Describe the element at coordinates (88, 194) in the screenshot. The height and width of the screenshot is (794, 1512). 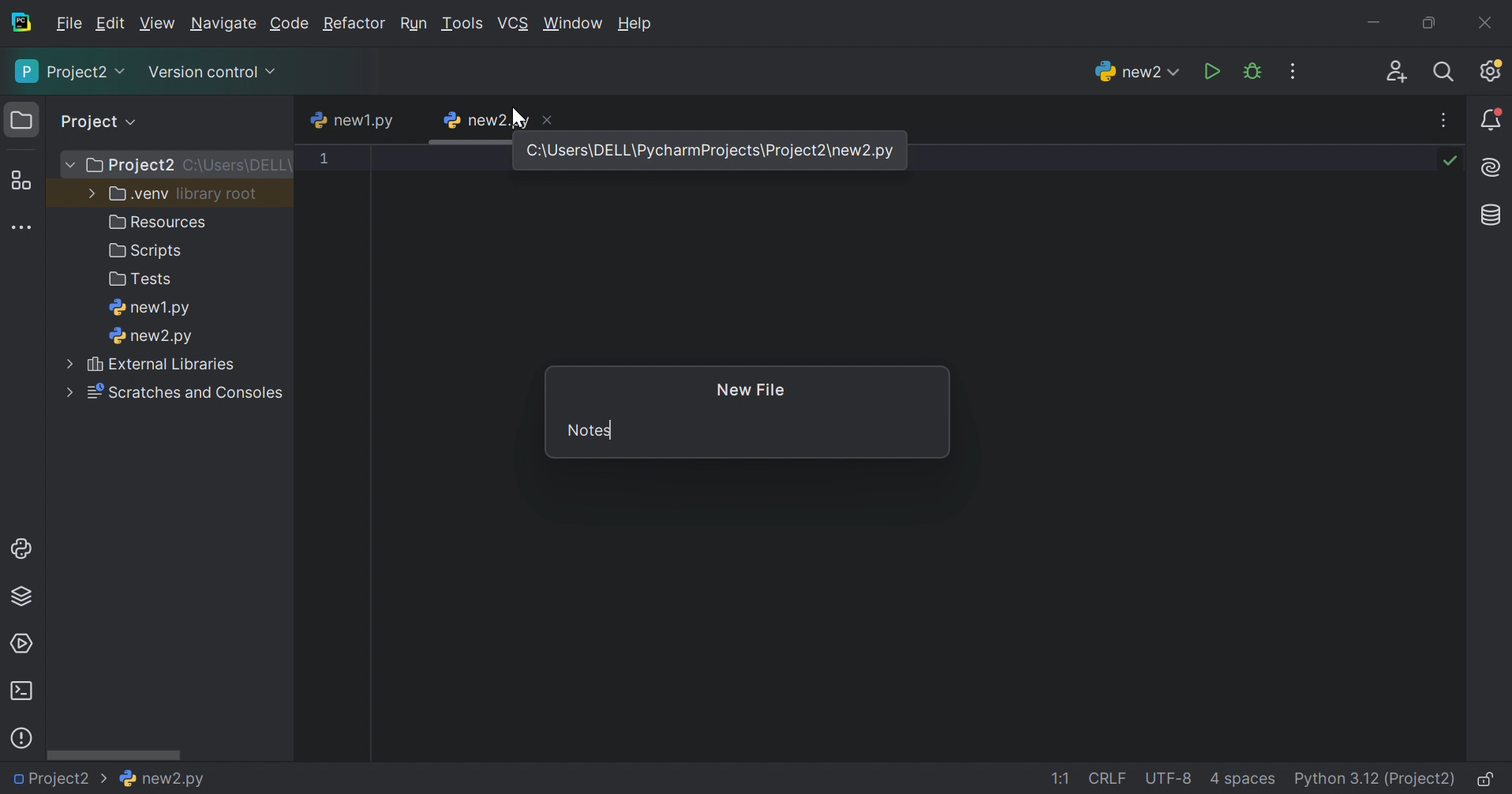
I see `More` at that location.